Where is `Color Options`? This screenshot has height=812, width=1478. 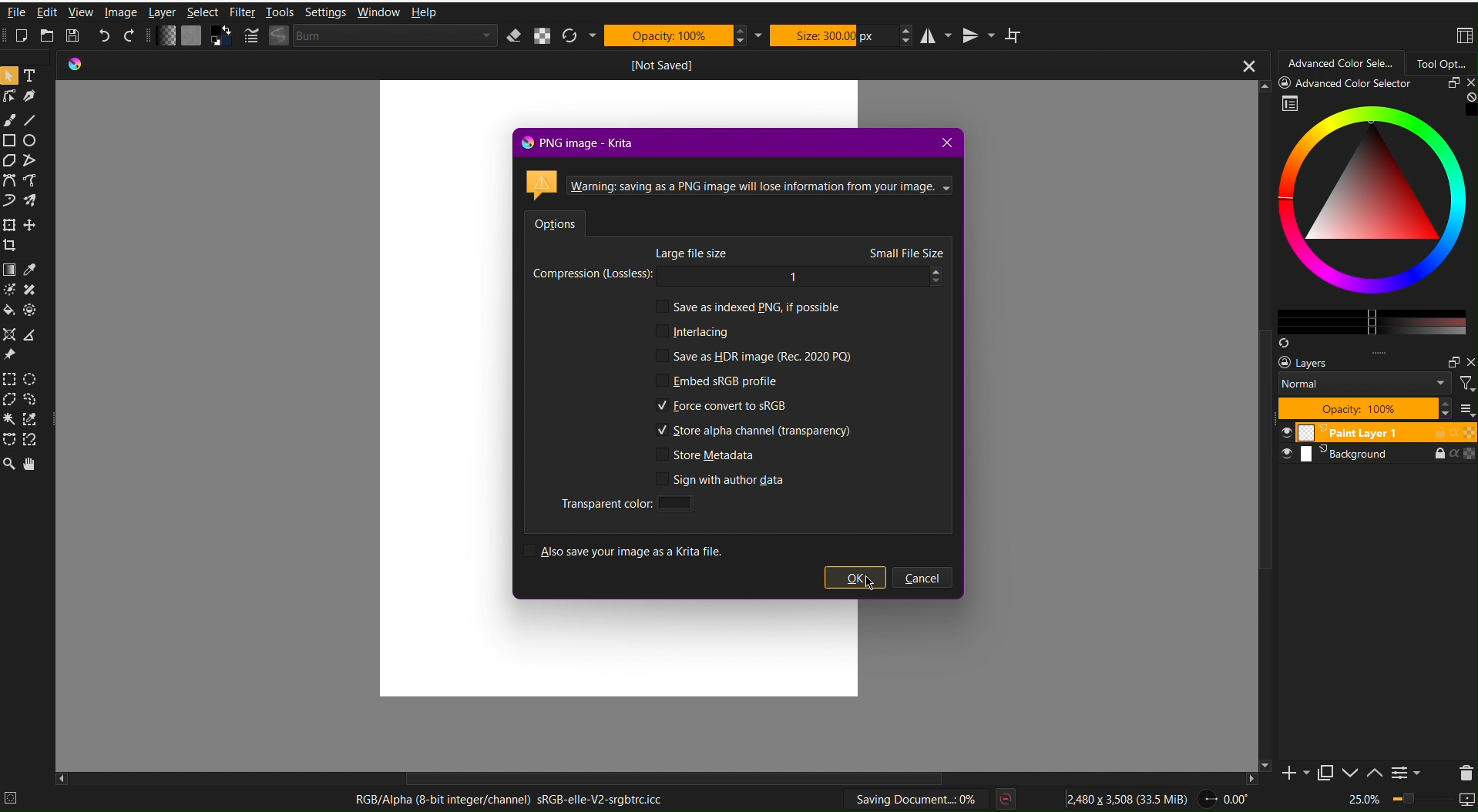
Color Options is located at coordinates (22, 290).